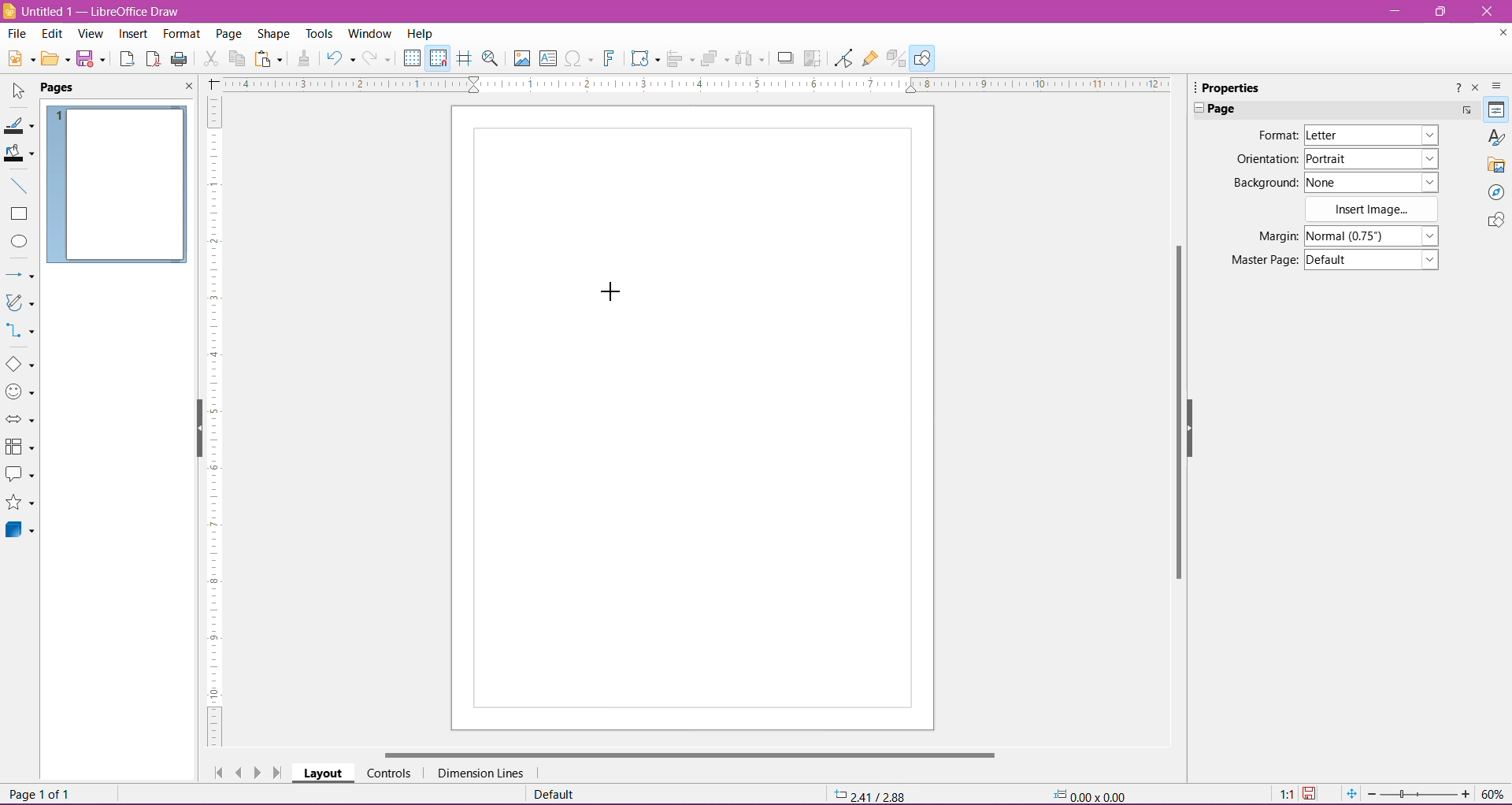  I want to click on Unsaved Changes, so click(1311, 795).